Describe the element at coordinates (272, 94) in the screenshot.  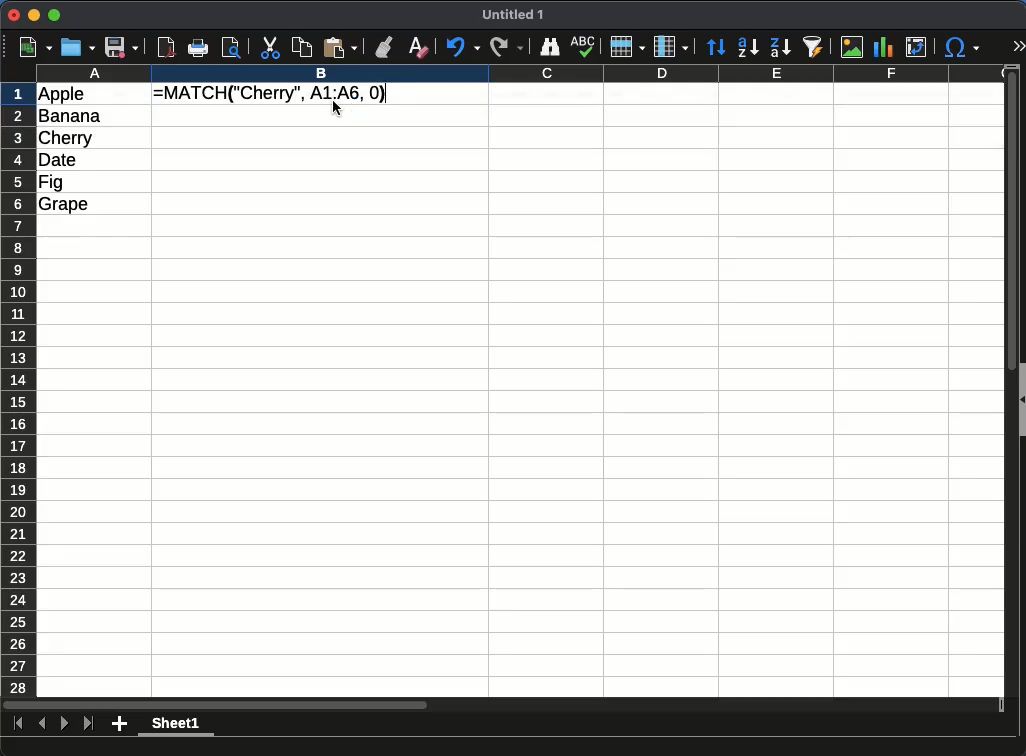
I see `=MATCH("Cherry", A1:A6, 0)` at that location.